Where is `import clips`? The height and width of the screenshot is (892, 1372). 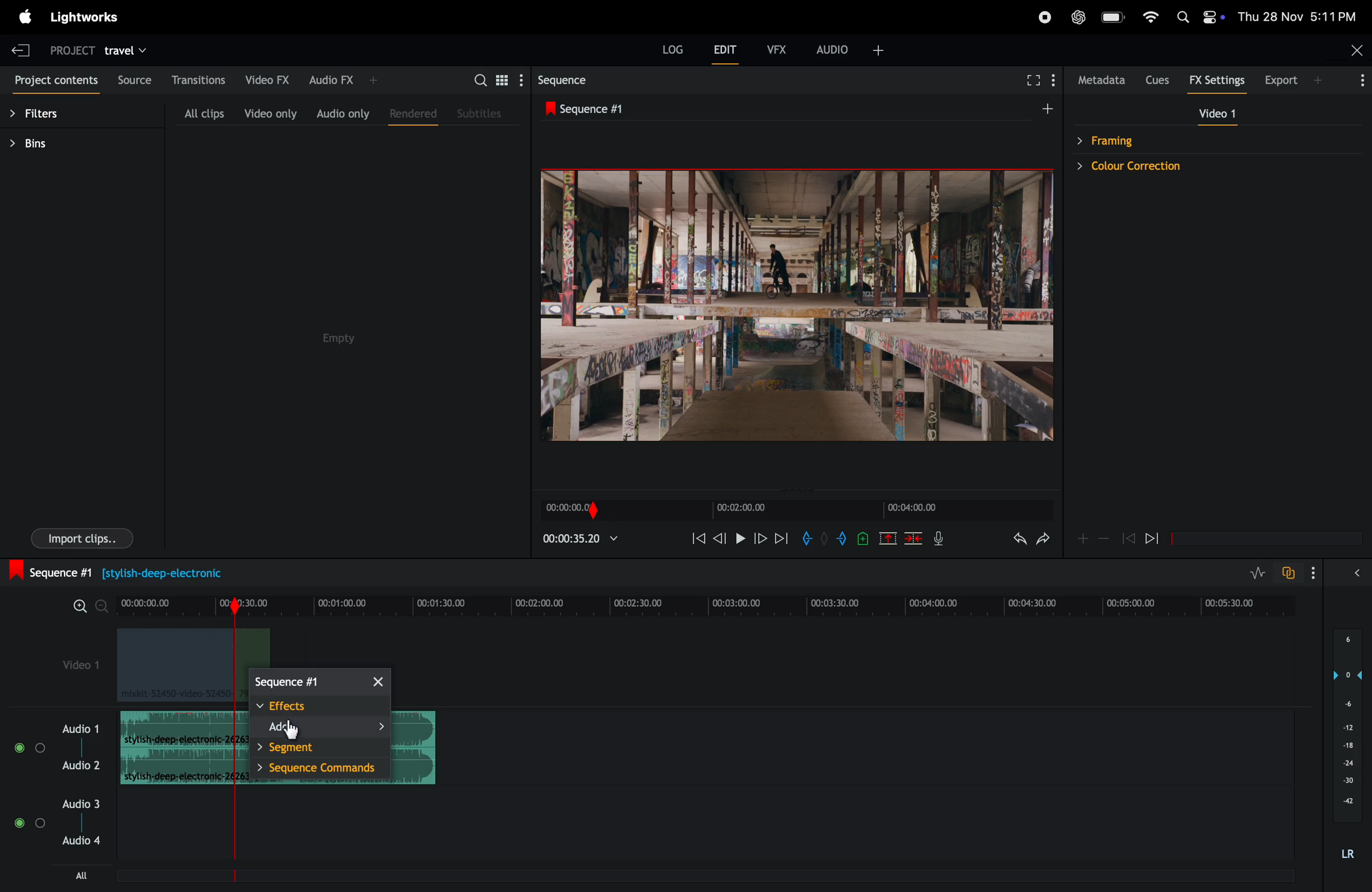
import clips is located at coordinates (82, 538).